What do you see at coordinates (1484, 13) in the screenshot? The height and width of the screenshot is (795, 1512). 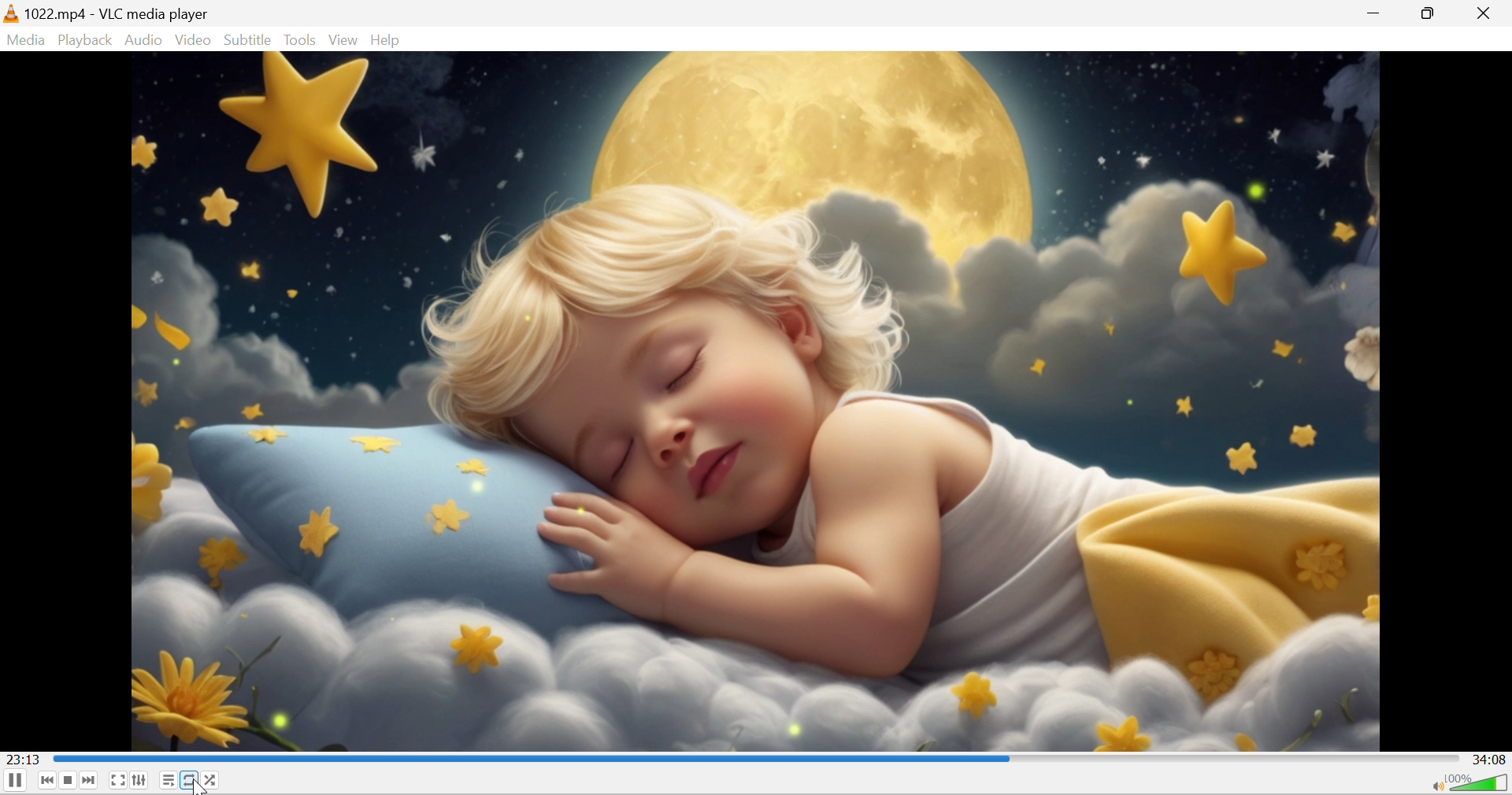 I see `Close` at bounding box center [1484, 13].